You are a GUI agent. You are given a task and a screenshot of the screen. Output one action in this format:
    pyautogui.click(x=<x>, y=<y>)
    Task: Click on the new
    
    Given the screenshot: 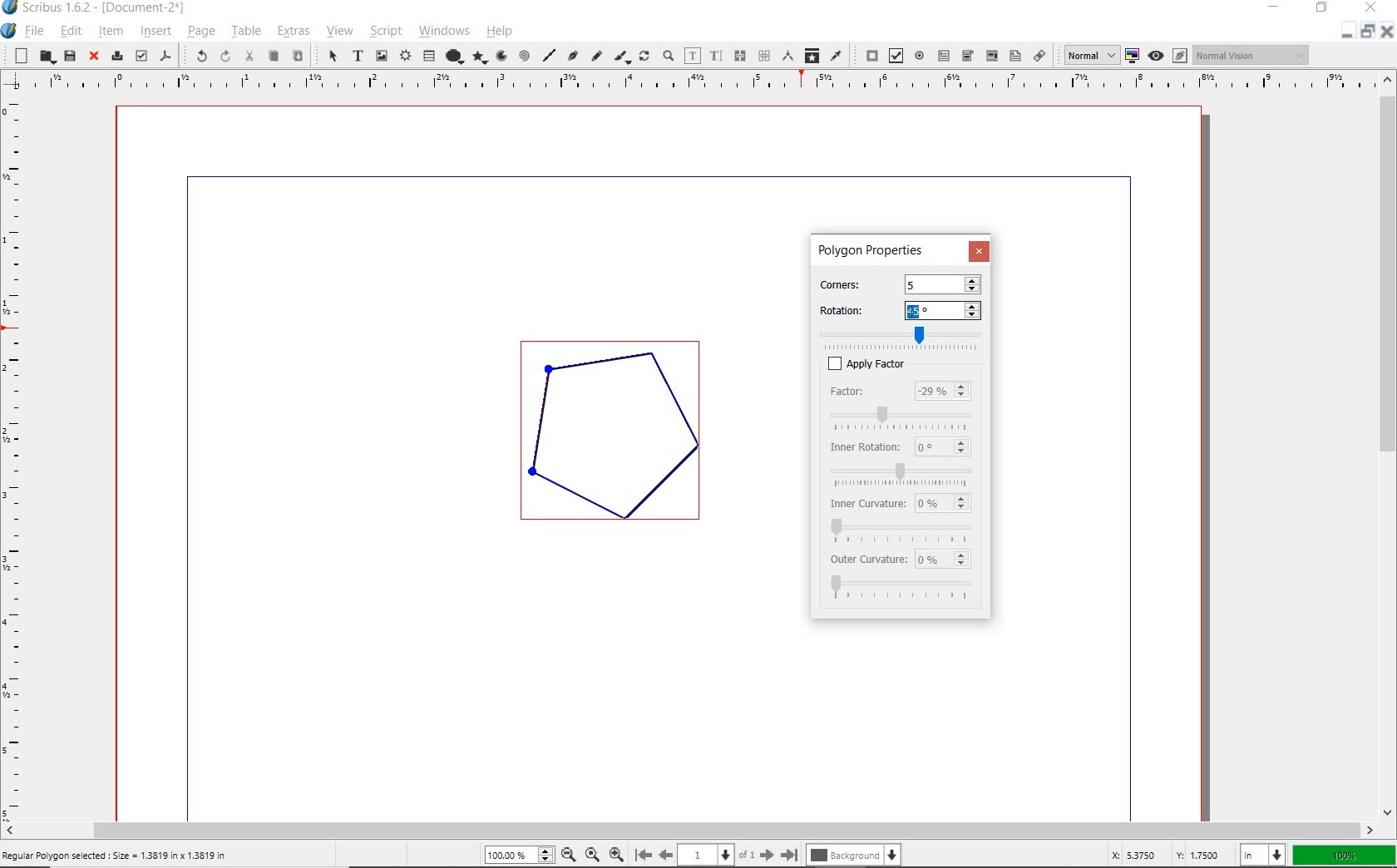 What is the action you would take?
    pyautogui.click(x=17, y=56)
    